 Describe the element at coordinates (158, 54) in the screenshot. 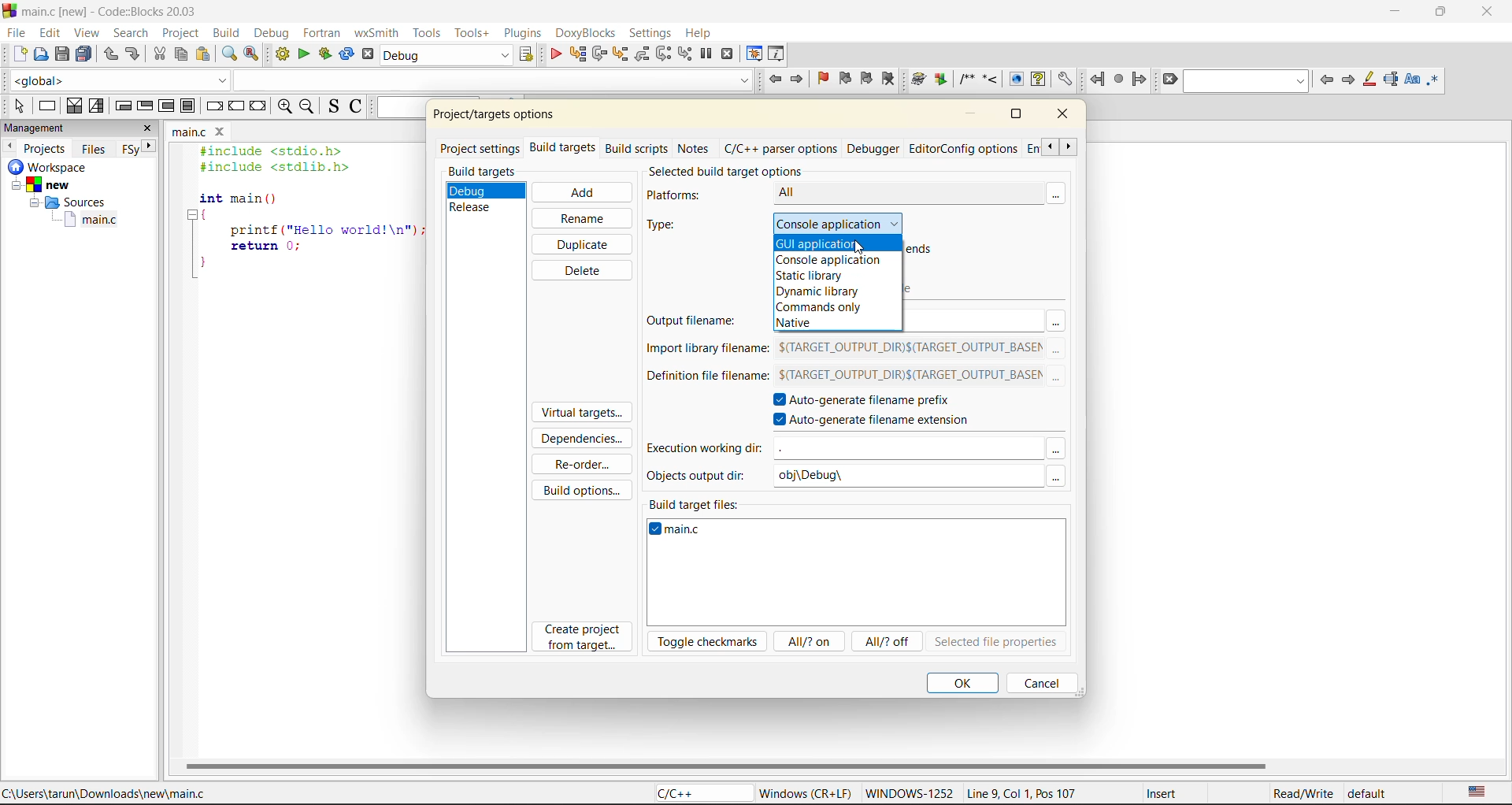

I see `cut` at that location.